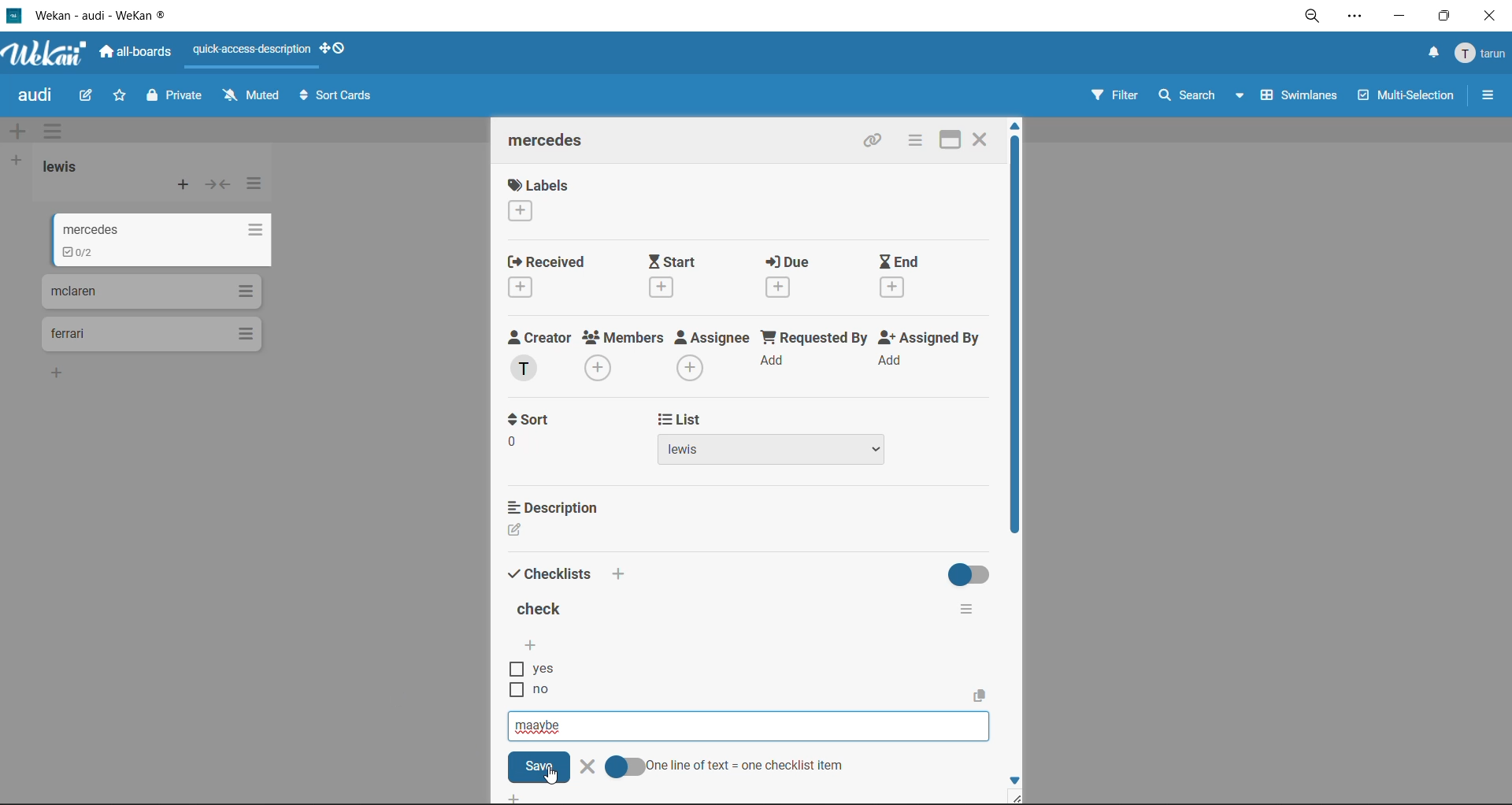 Image resolution: width=1512 pixels, height=805 pixels. I want to click on list actions, so click(256, 188).